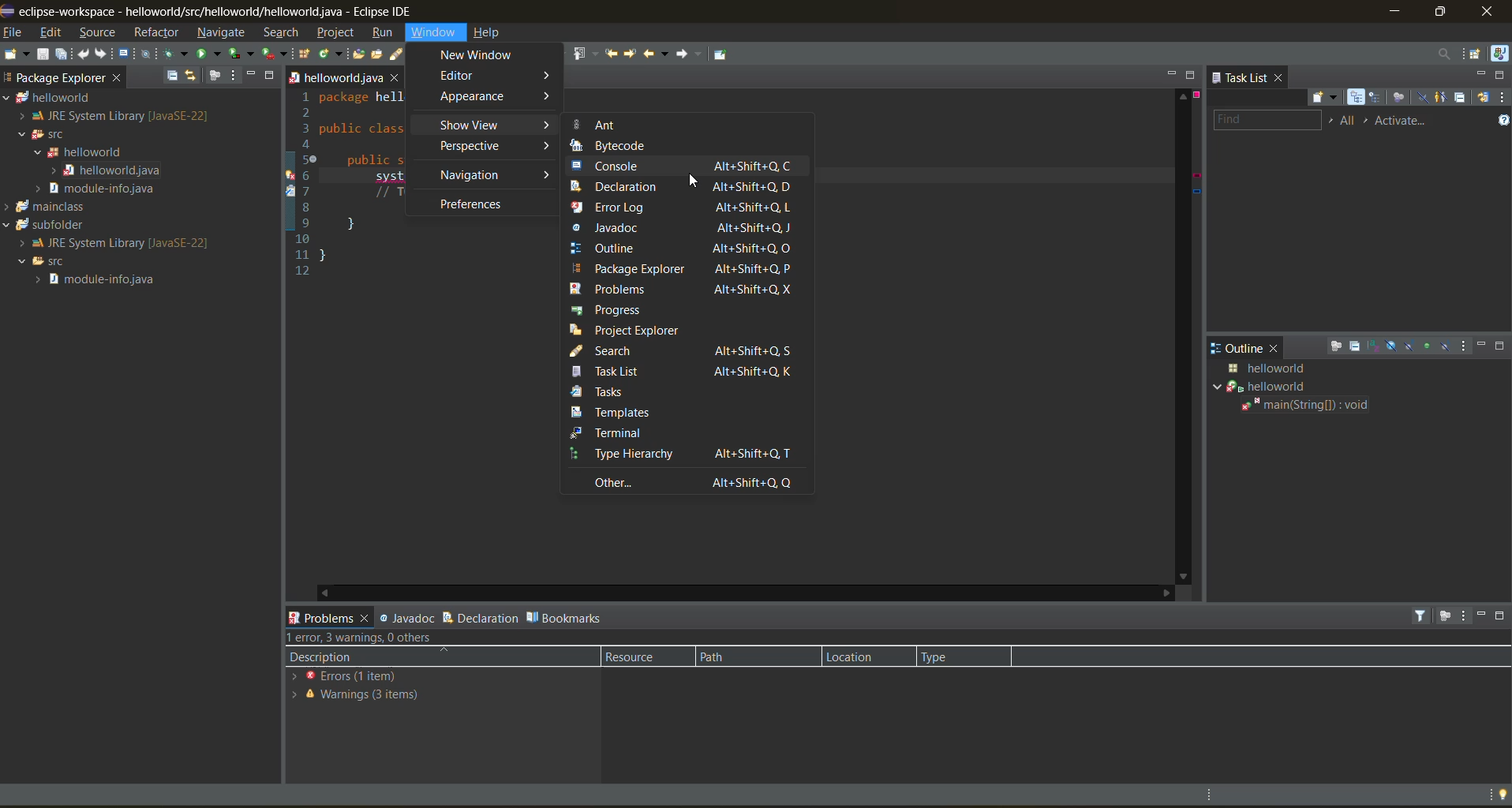  I want to click on type, so click(961, 659).